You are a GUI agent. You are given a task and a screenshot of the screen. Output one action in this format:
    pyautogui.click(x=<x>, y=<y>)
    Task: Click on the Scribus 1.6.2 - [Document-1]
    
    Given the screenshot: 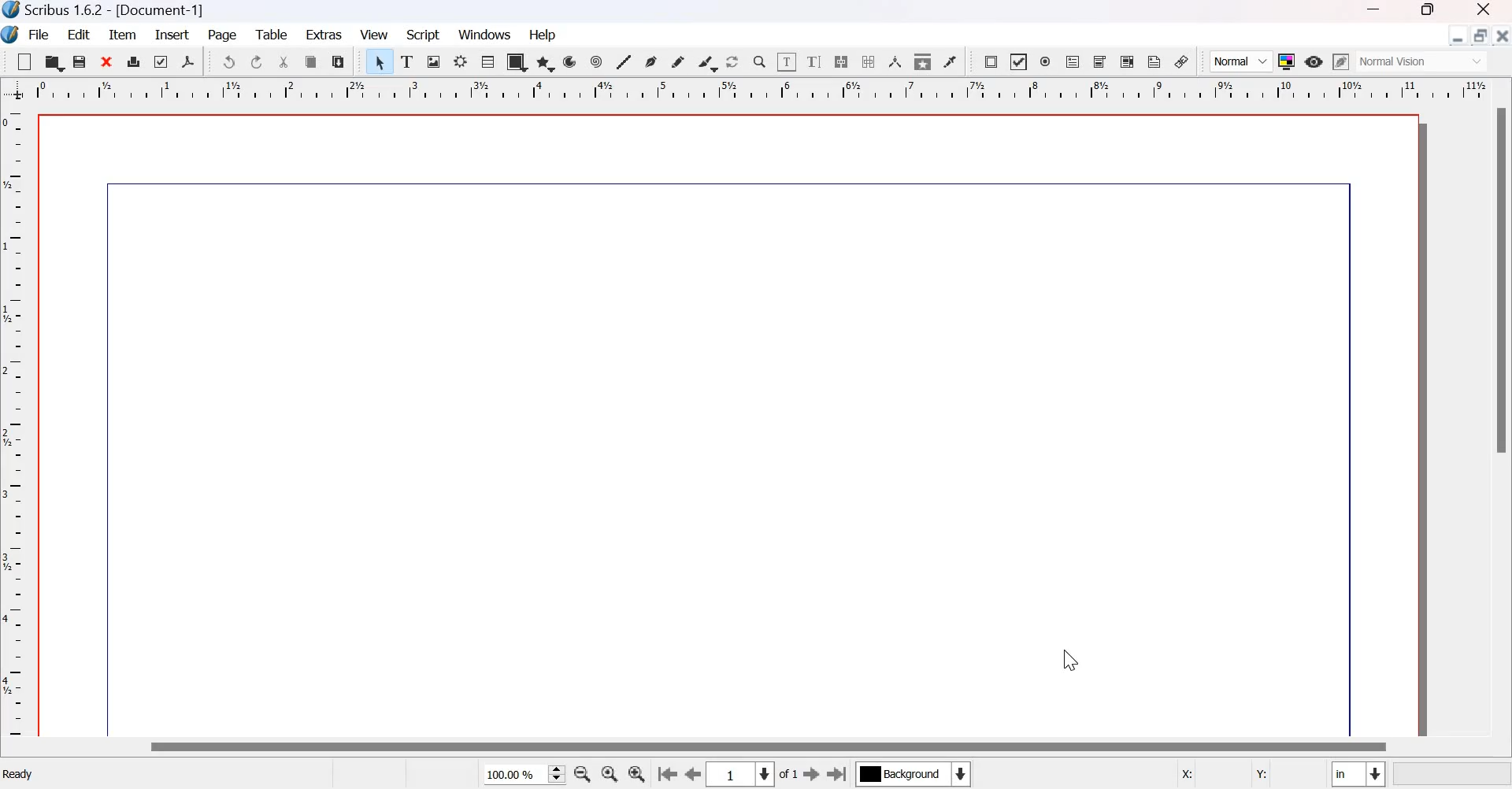 What is the action you would take?
    pyautogui.click(x=103, y=10)
    